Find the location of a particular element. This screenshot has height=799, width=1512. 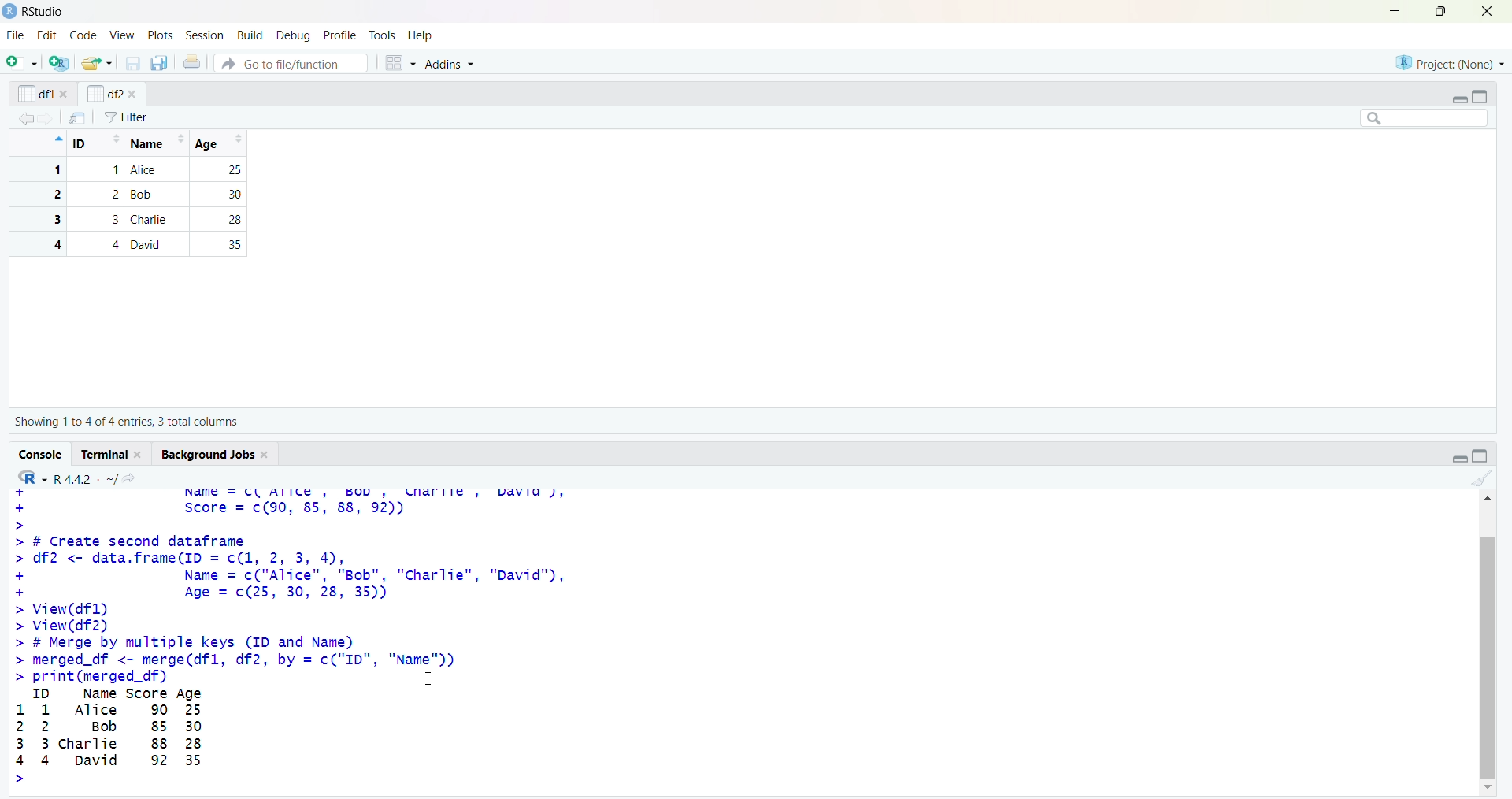

clean is located at coordinates (1483, 479).